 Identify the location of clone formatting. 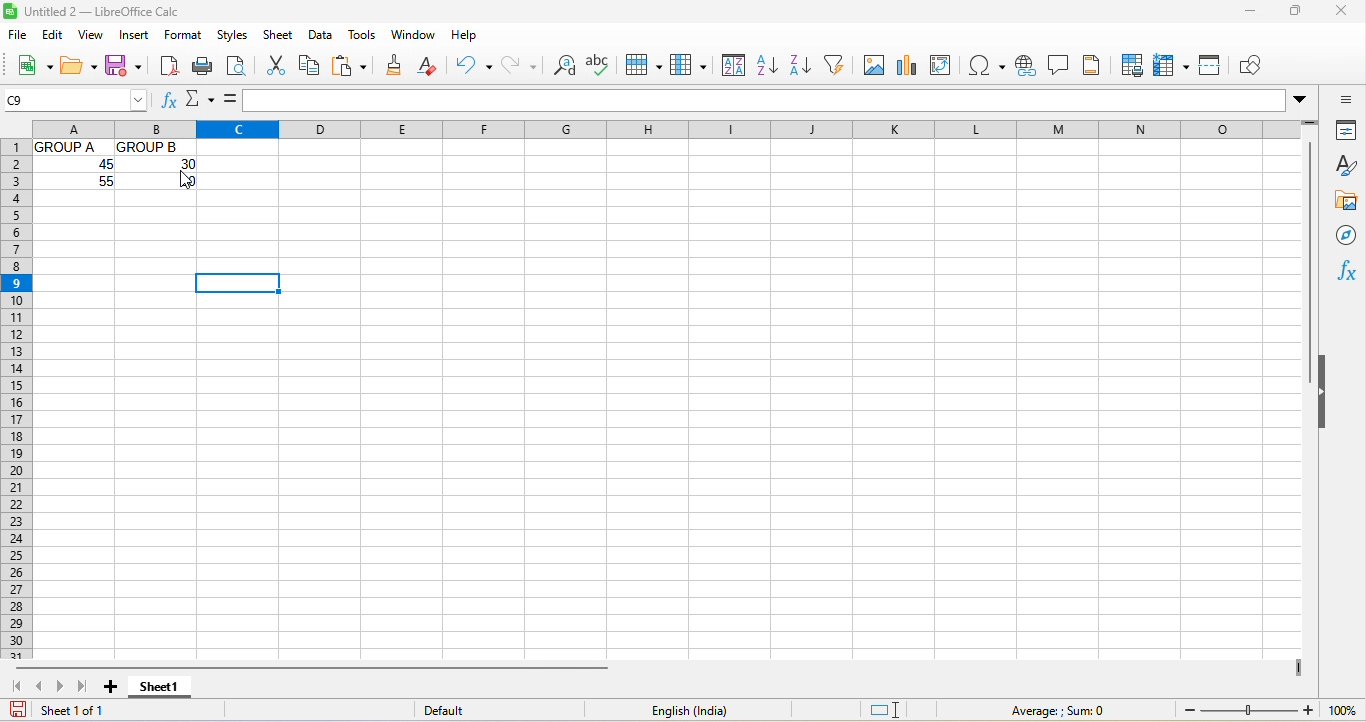
(397, 65).